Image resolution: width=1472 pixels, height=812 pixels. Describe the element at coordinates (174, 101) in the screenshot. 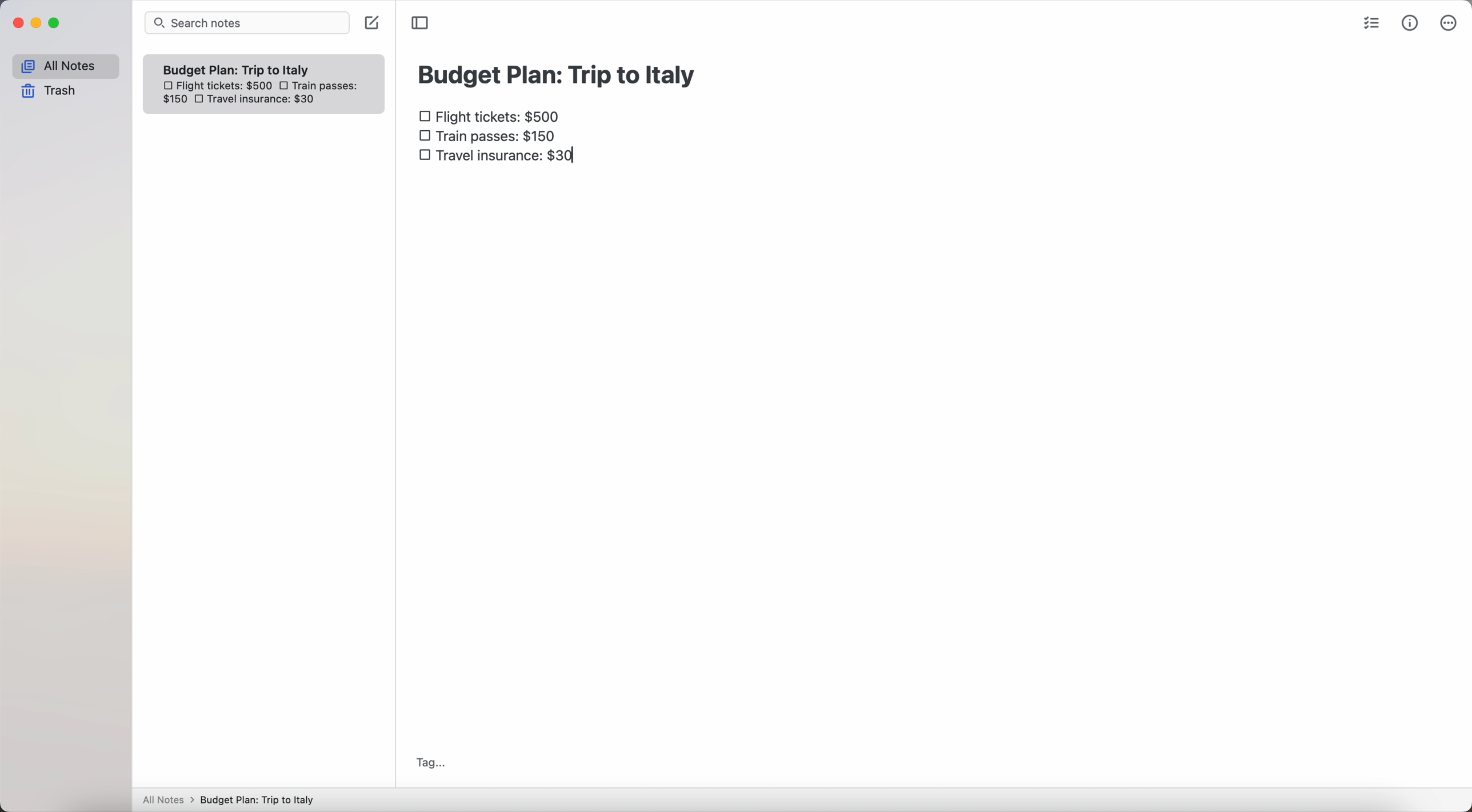

I see `150` at that location.